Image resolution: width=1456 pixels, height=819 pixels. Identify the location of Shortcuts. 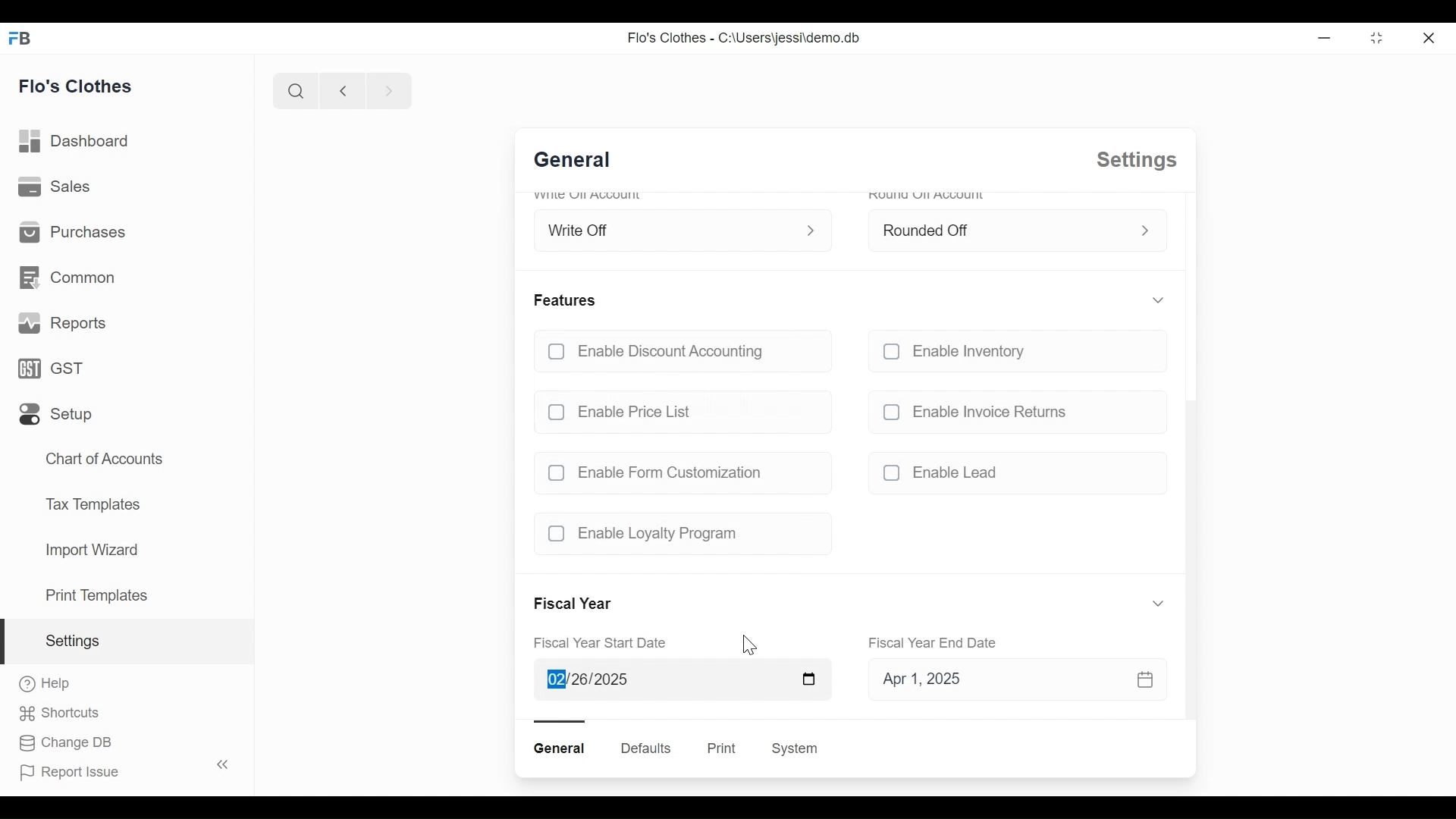
(66, 714).